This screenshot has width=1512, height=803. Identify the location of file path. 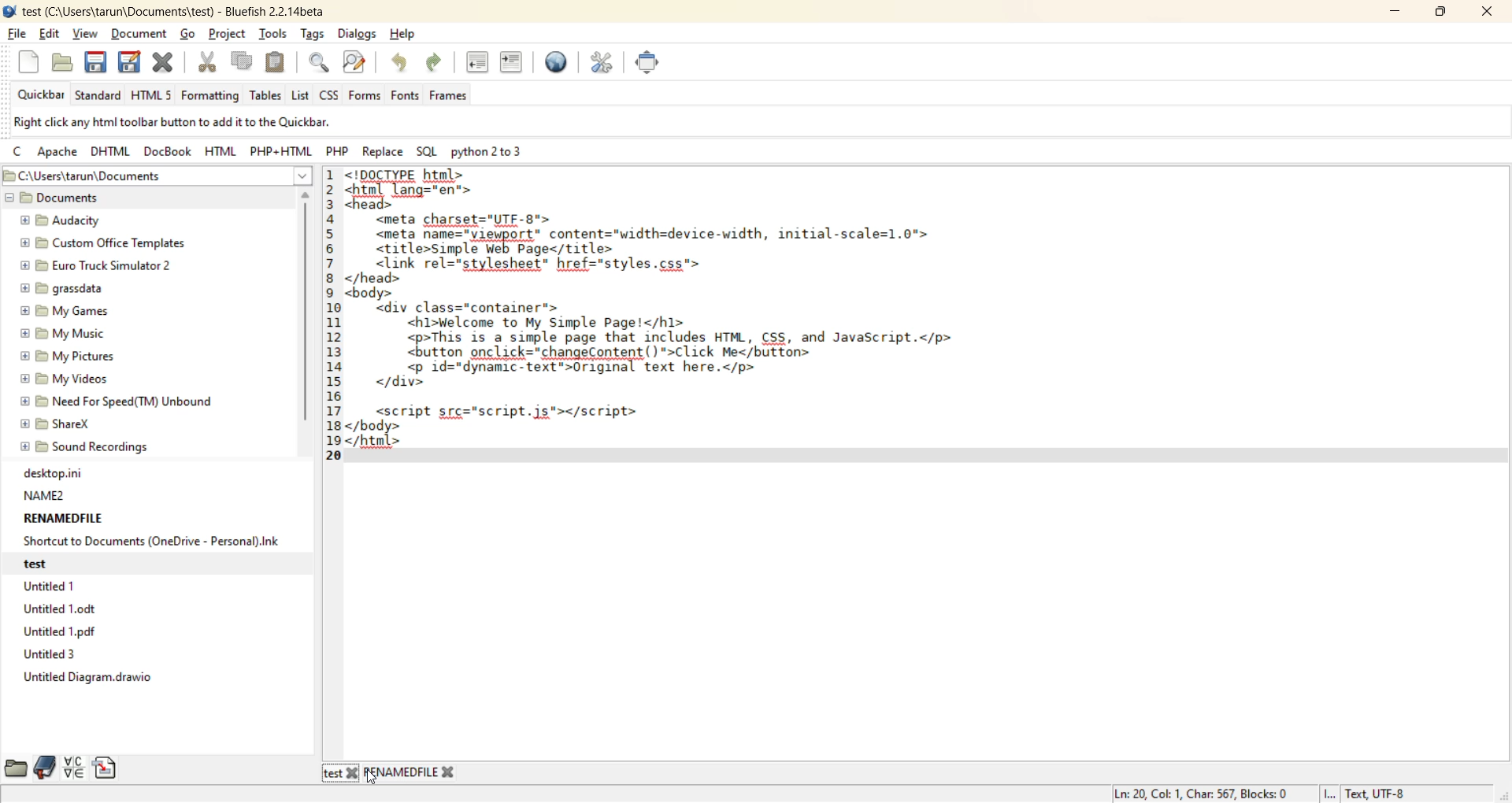
(142, 176).